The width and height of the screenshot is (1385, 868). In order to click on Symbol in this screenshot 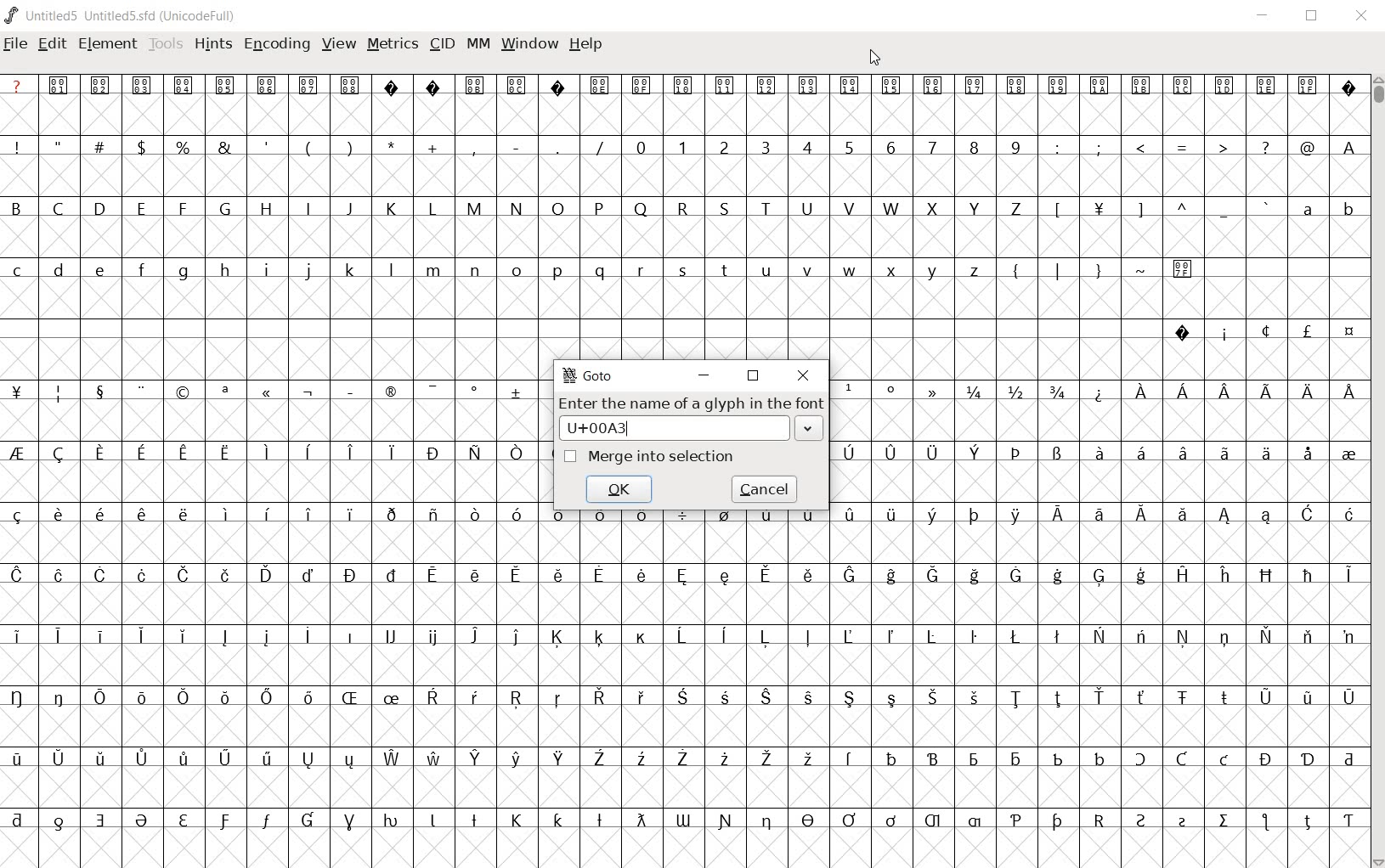, I will do `click(1348, 453)`.